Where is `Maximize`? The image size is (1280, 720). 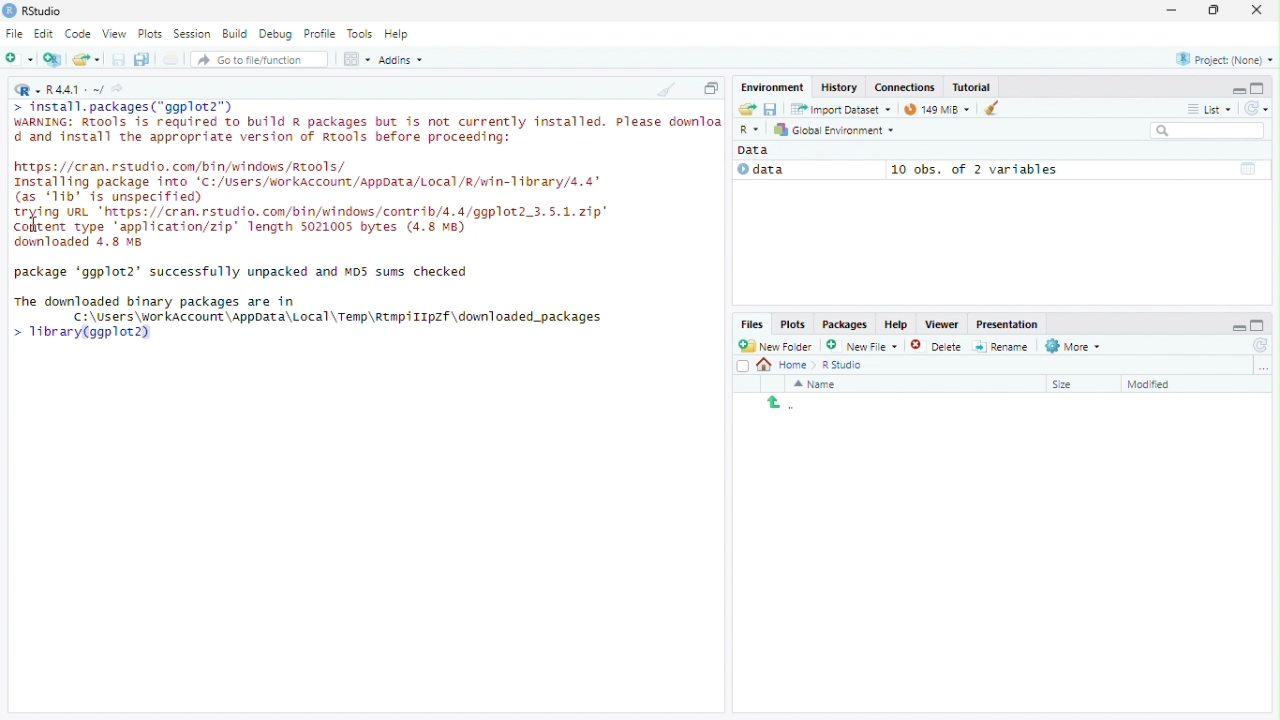 Maximize is located at coordinates (1216, 10).